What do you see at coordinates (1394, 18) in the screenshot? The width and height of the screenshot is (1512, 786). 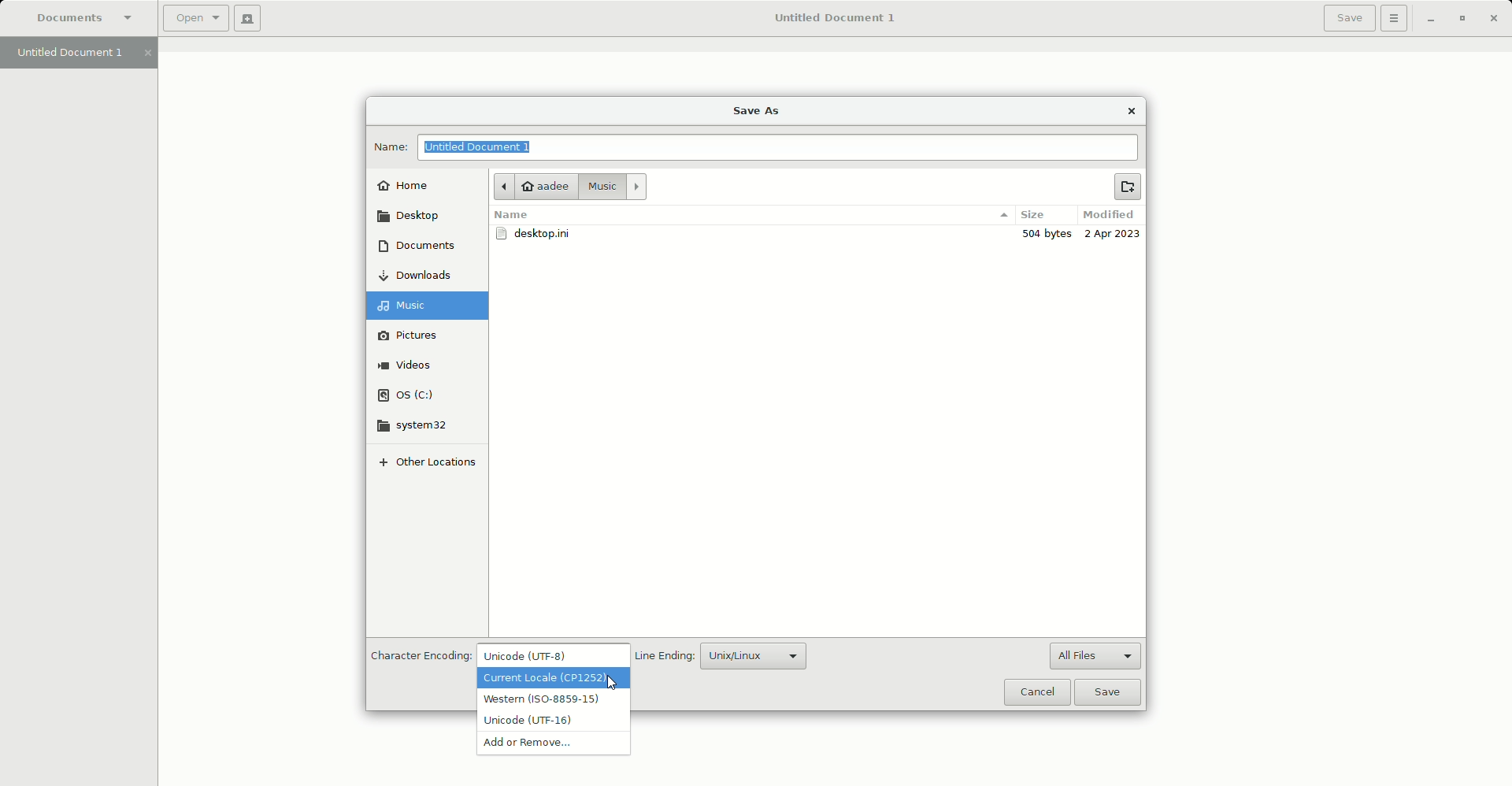 I see `Options` at bounding box center [1394, 18].